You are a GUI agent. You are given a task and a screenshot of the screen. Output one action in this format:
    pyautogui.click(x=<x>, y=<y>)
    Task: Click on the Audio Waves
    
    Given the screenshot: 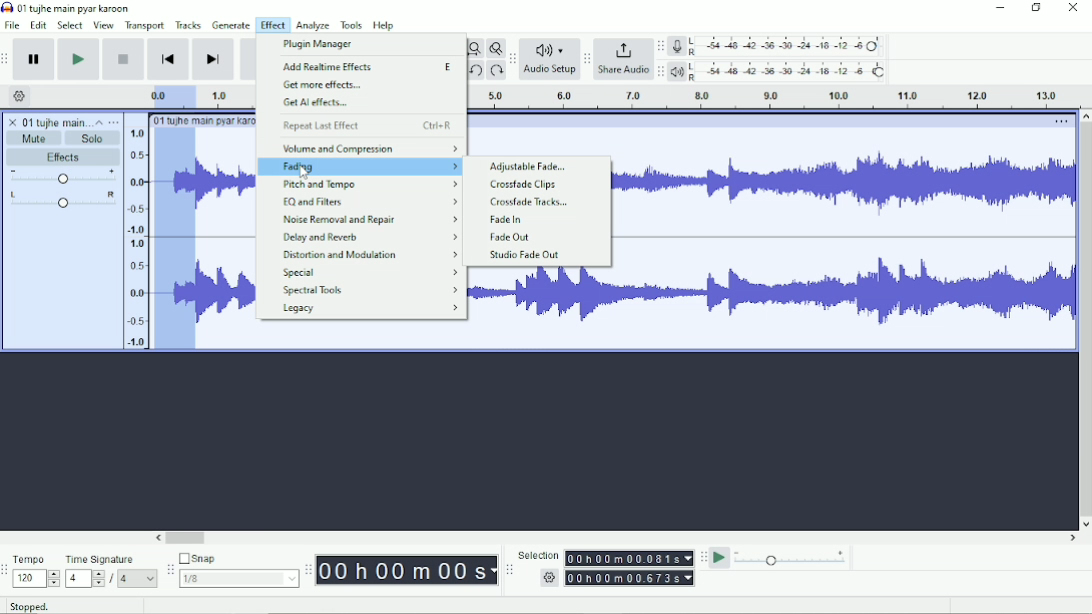 What is the action you would take?
    pyautogui.click(x=226, y=182)
    